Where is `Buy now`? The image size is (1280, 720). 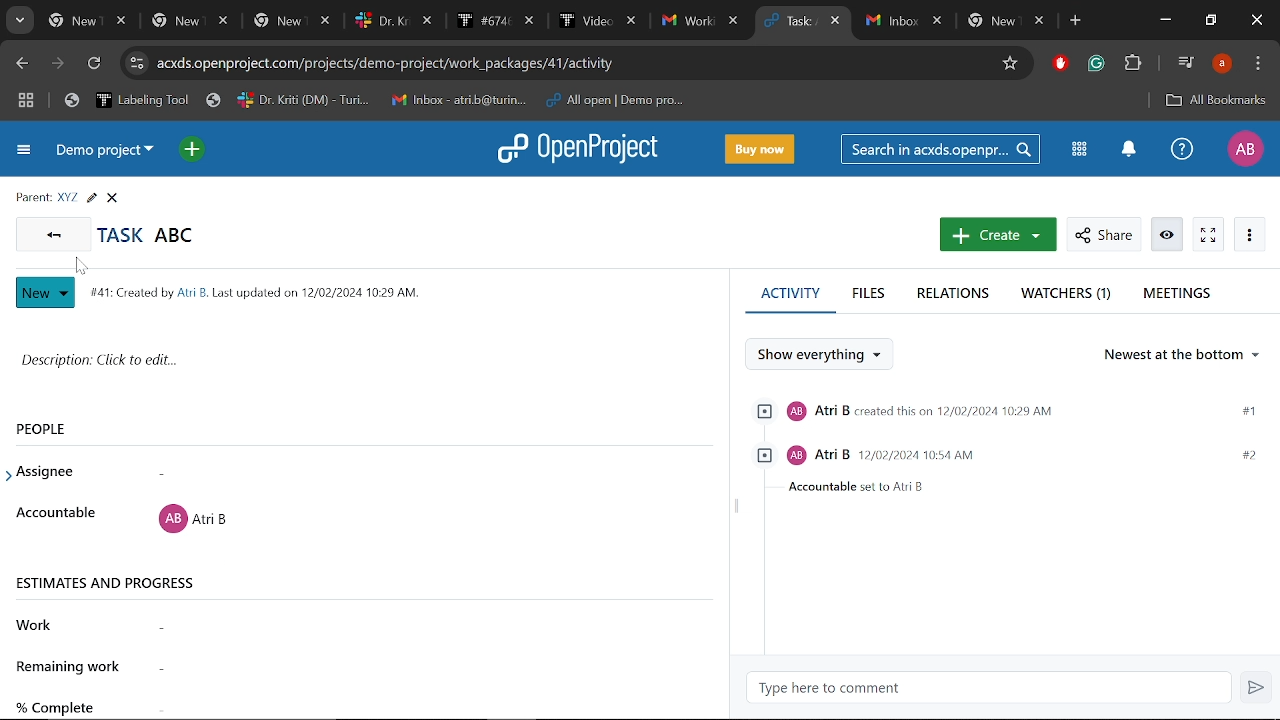
Buy now is located at coordinates (759, 149).